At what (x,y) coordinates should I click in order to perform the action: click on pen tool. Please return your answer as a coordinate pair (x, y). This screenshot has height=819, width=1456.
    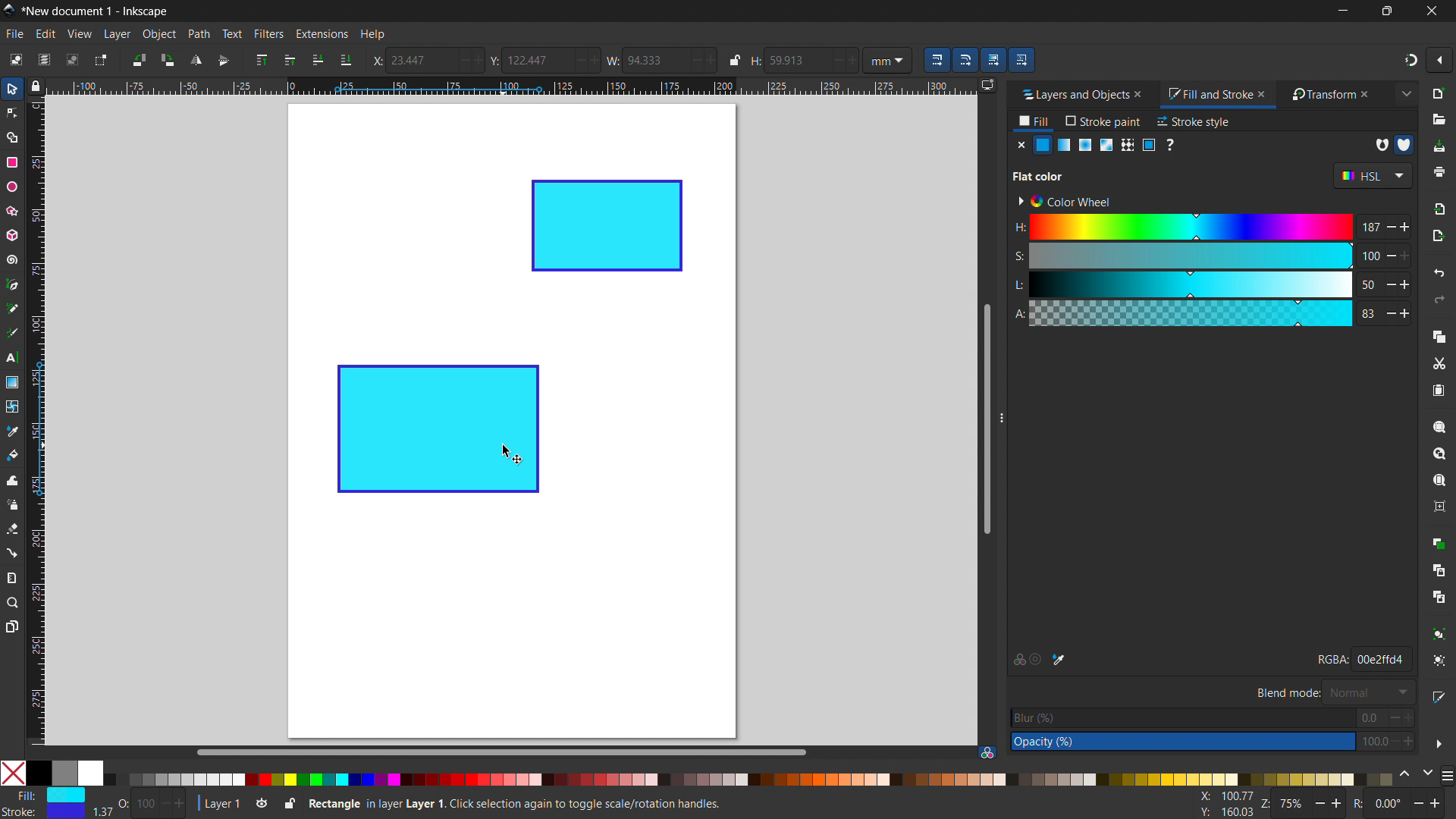
    Looking at the image, I should click on (13, 284).